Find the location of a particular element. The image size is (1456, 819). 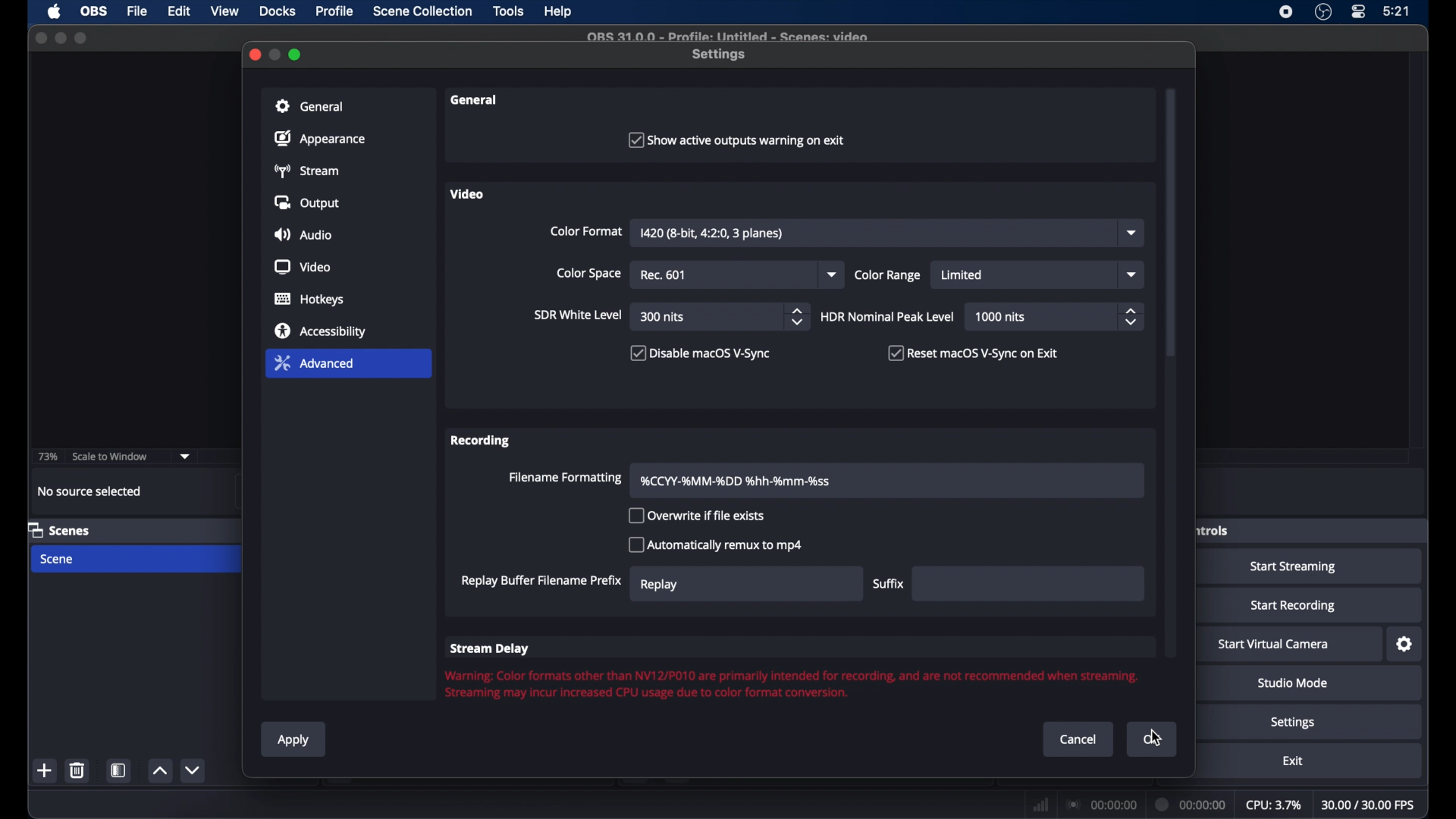

stepper buttons is located at coordinates (1130, 317).